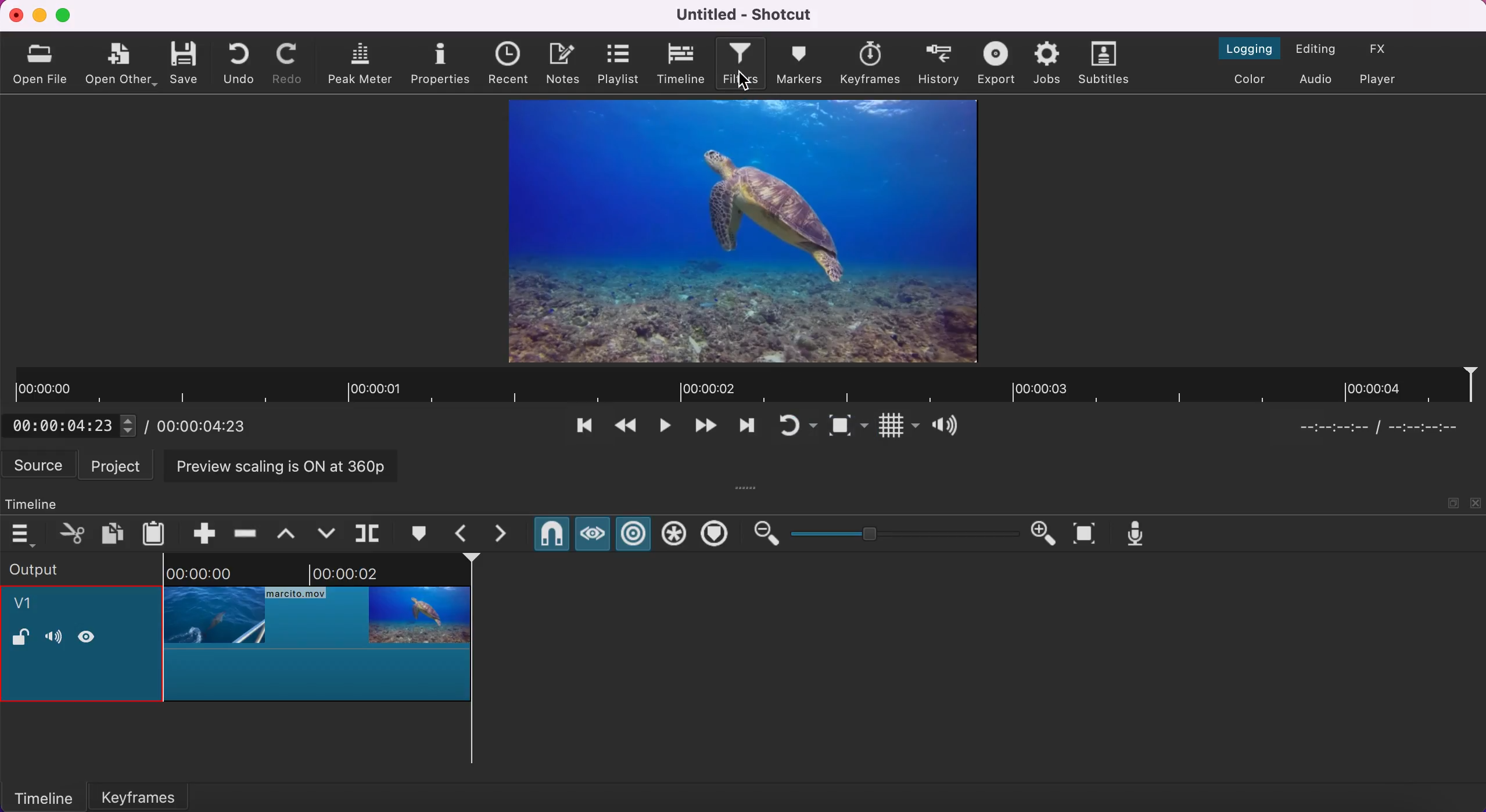 Image resolution: width=1486 pixels, height=812 pixels. I want to click on close, so click(17, 15).